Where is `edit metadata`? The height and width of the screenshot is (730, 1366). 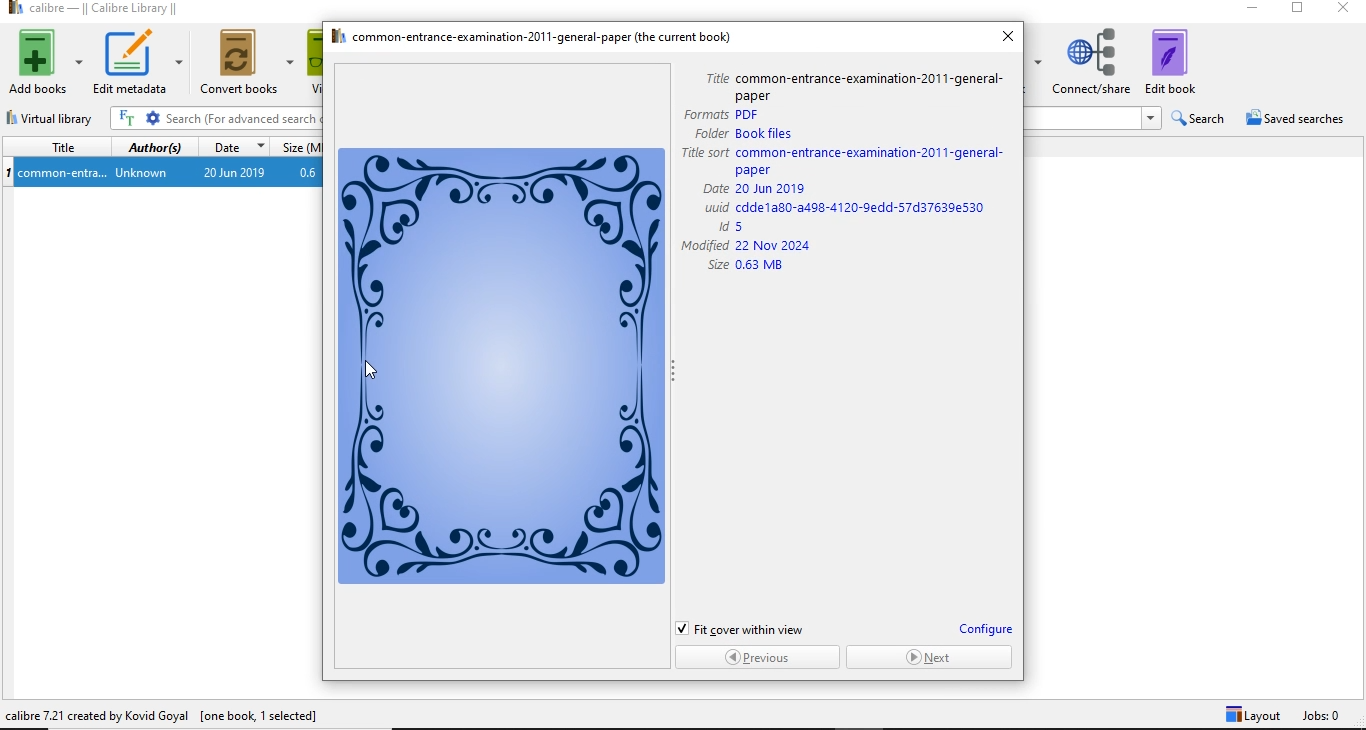
edit metadata is located at coordinates (136, 62).